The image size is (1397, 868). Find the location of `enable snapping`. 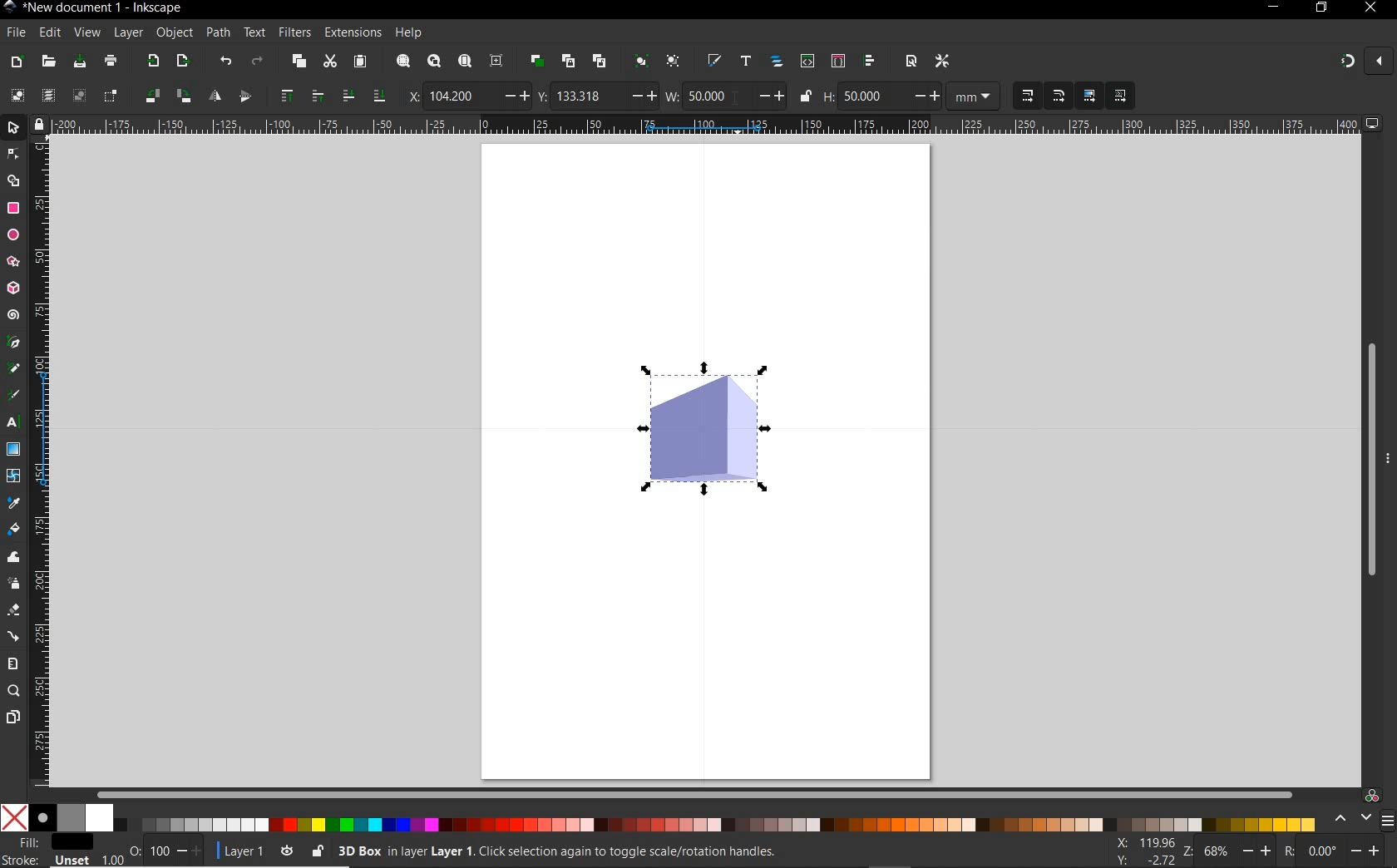

enable snapping is located at coordinates (1346, 62).